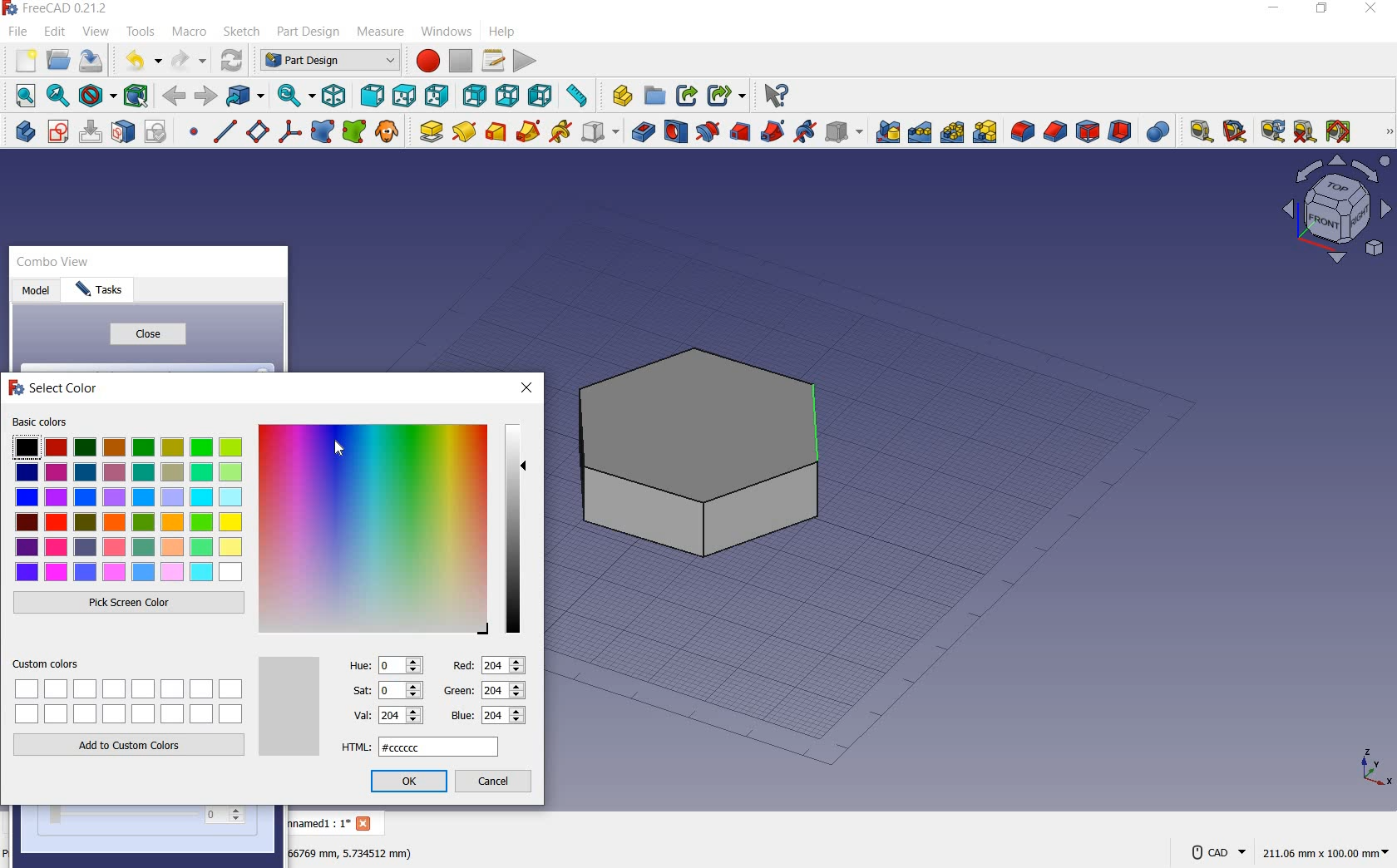 The height and width of the screenshot is (868, 1397). I want to click on open, so click(59, 59).